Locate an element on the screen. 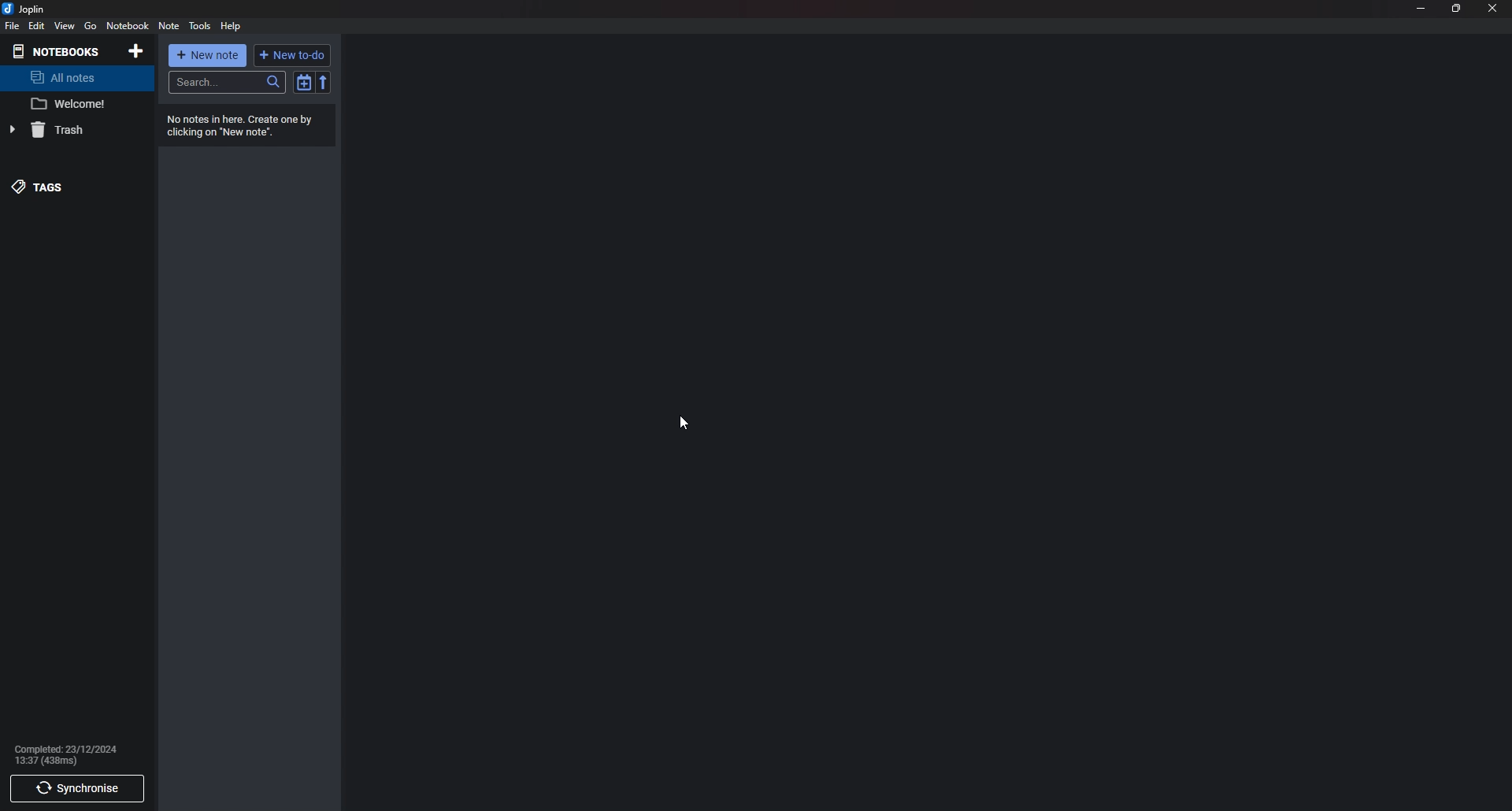 The width and height of the screenshot is (1512, 811). View is located at coordinates (65, 26).